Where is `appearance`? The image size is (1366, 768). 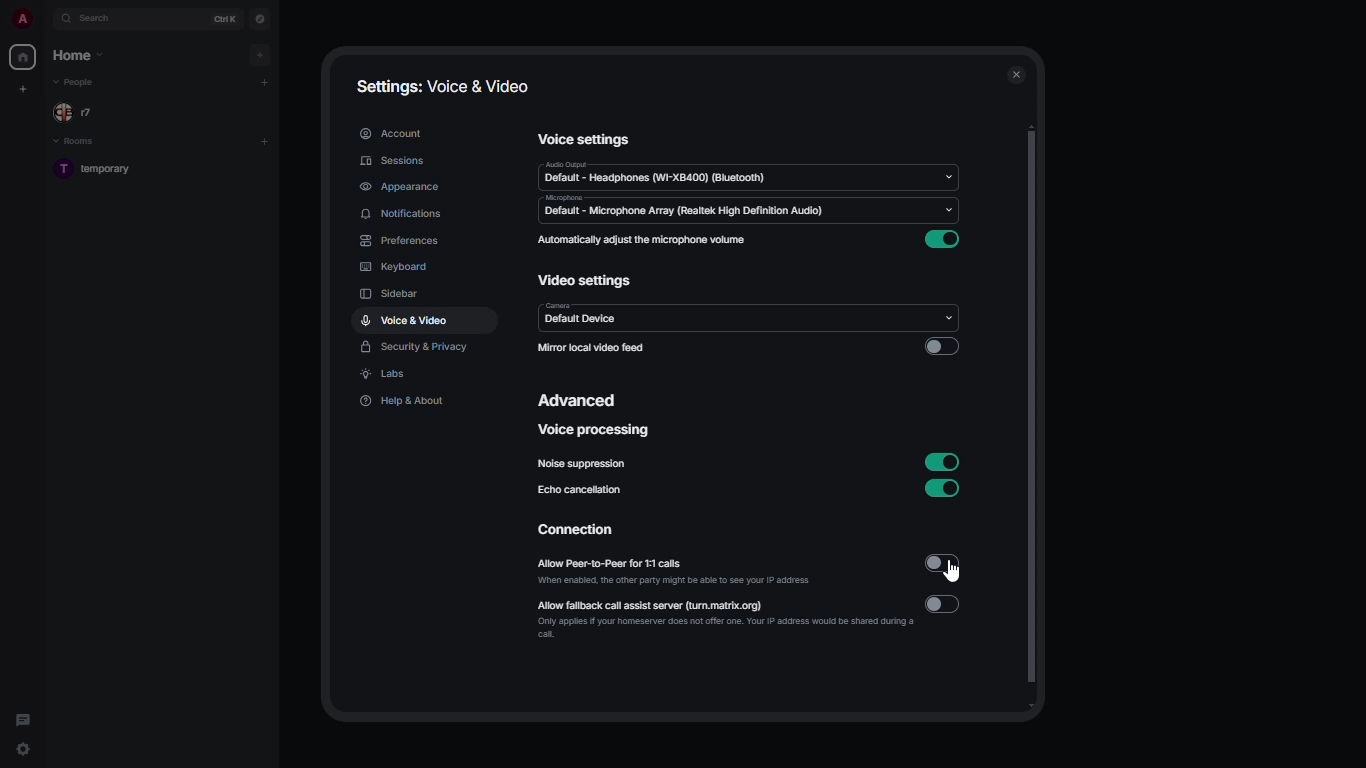 appearance is located at coordinates (403, 186).